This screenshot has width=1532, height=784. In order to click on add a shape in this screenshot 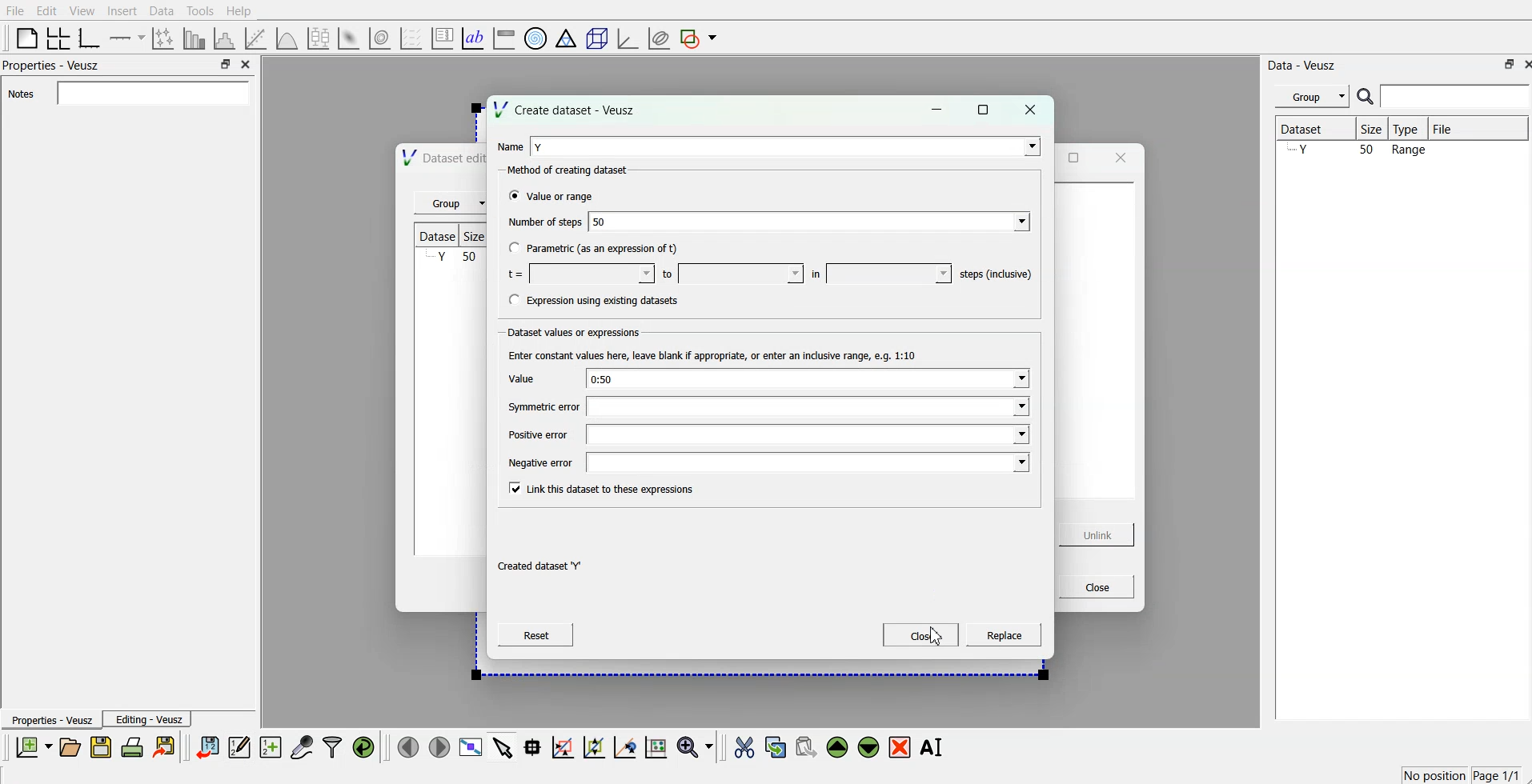, I will do `click(700, 38)`.